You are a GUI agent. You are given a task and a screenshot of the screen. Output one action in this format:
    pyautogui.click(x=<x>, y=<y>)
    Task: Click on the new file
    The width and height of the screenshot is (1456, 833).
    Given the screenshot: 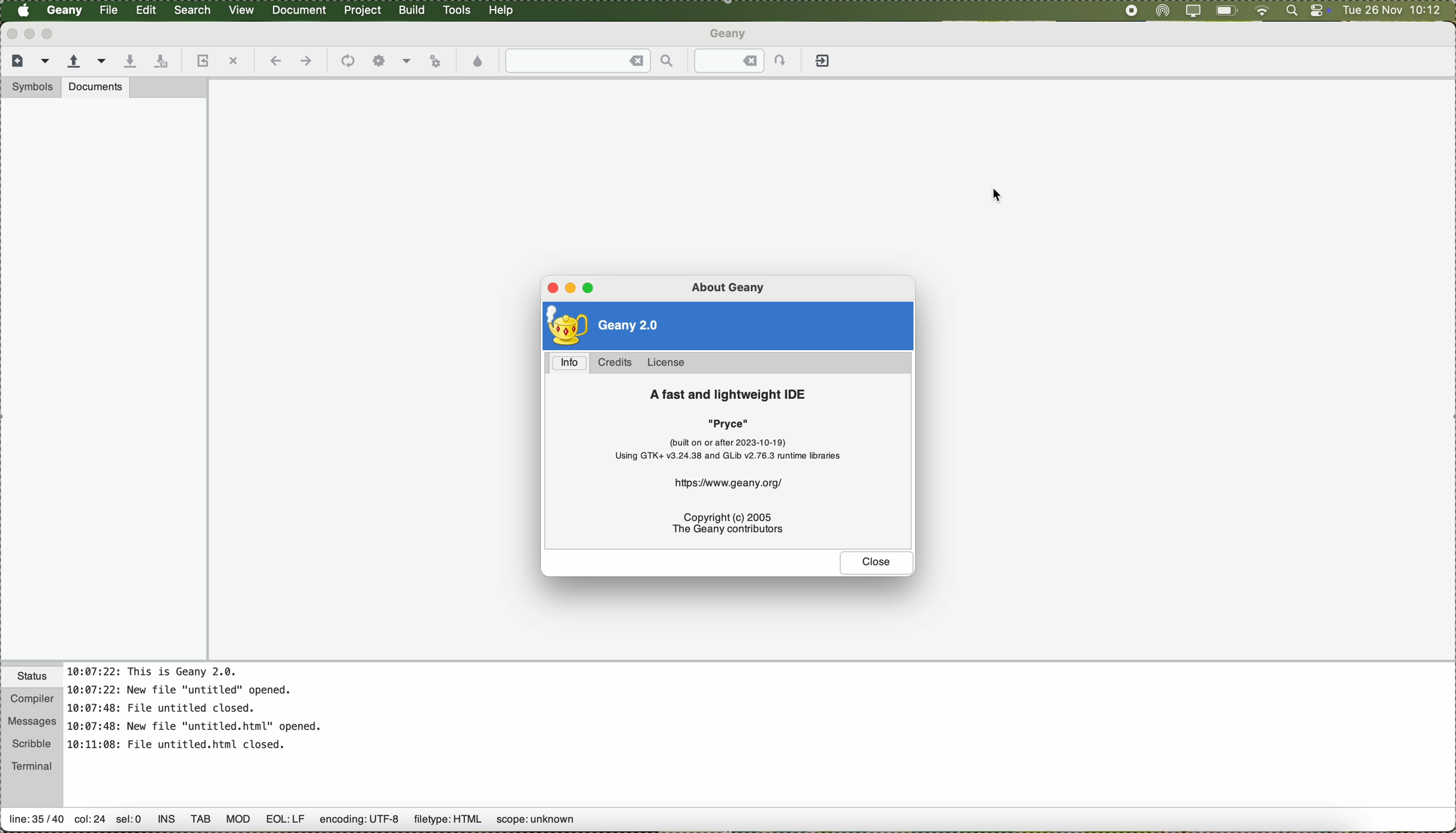 What is the action you would take?
    pyautogui.click(x=29, y=64)
    